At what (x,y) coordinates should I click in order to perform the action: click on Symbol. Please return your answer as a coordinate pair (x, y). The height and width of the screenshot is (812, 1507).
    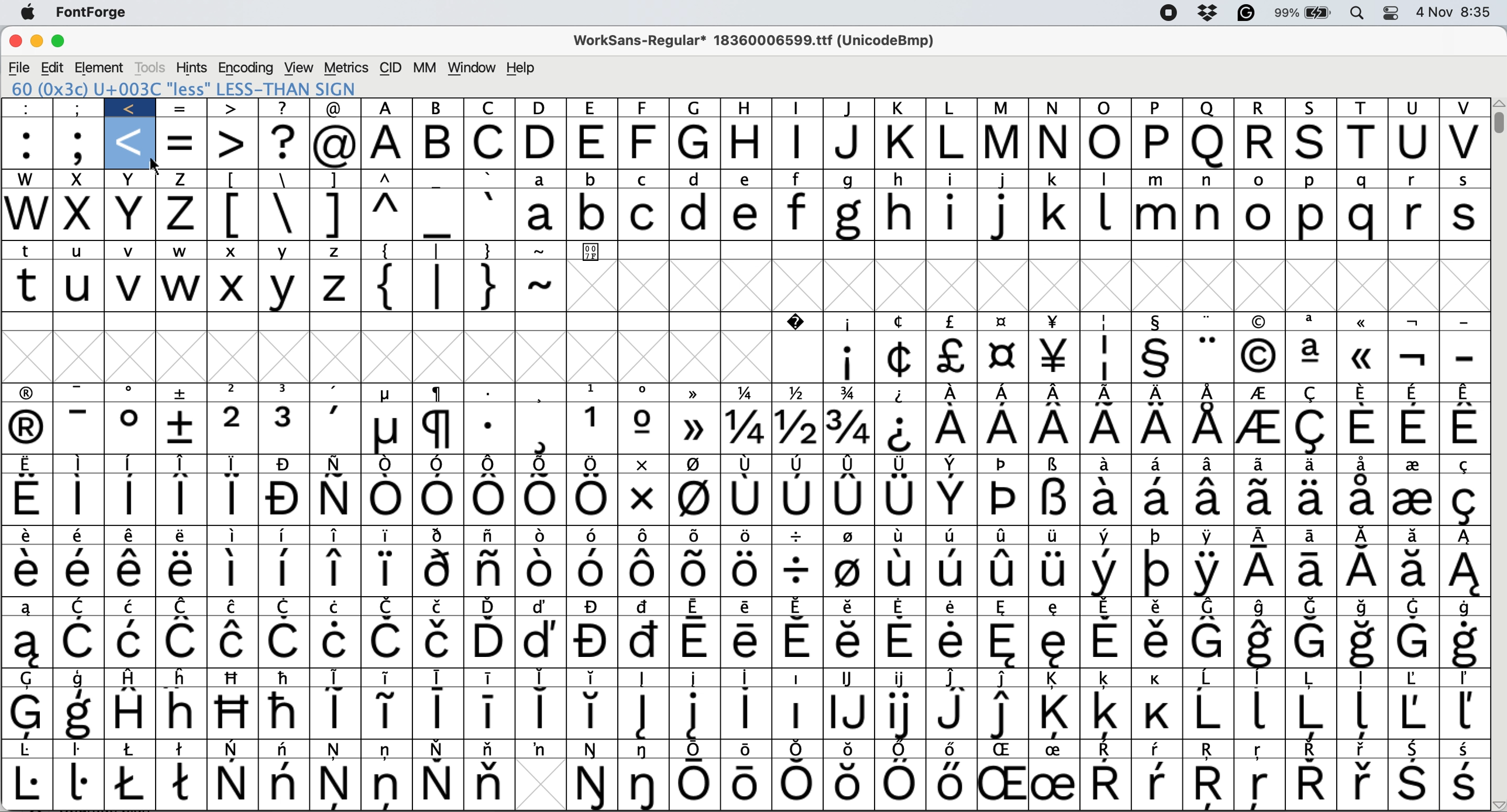
    Looking at the image, I should click on (440, 393).